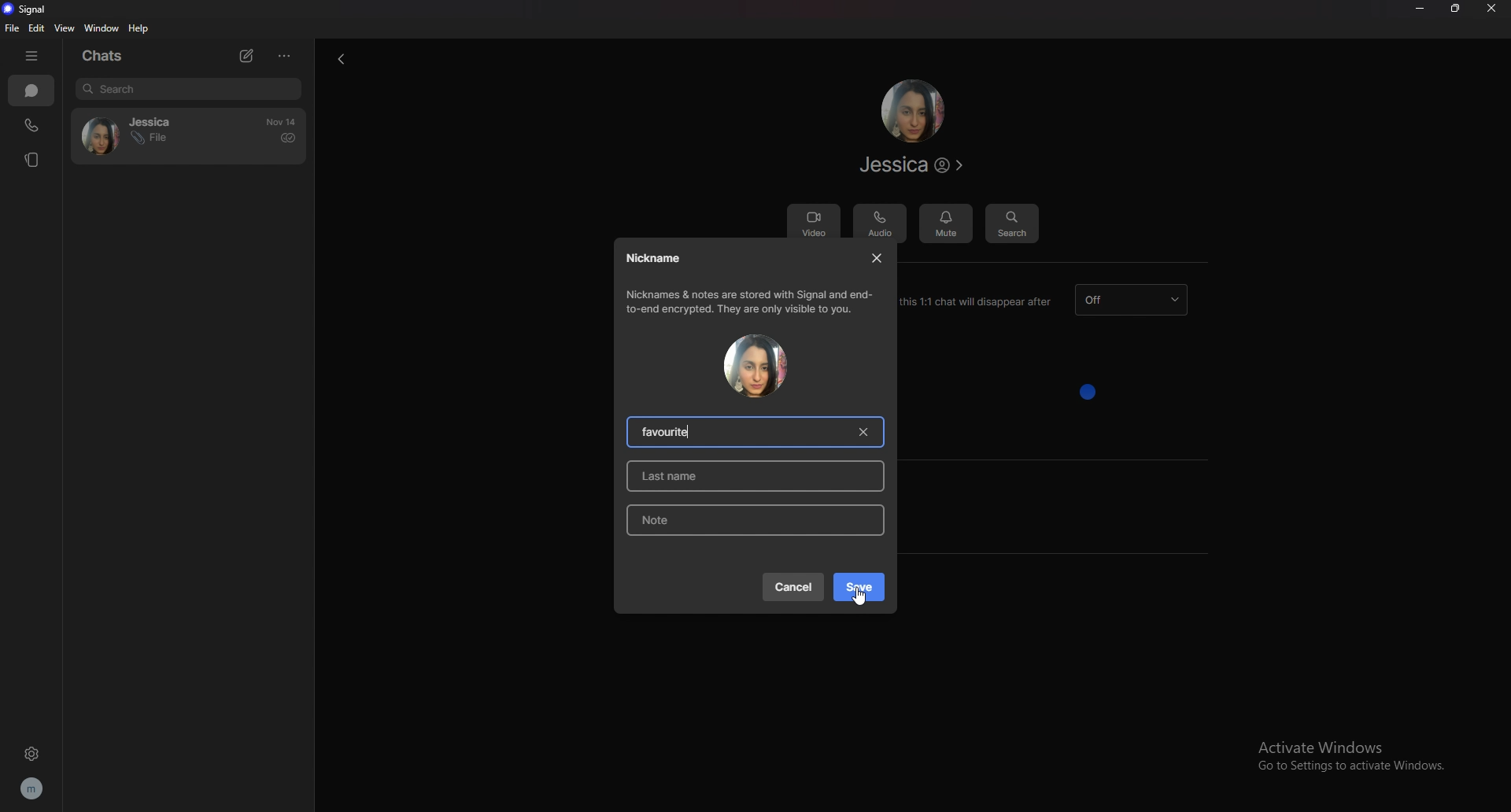 This screenshot has height=812, width=1511. Describe the element at coordinates (1134, 300) in the screenshot. I see `dissapearing message` at that location.